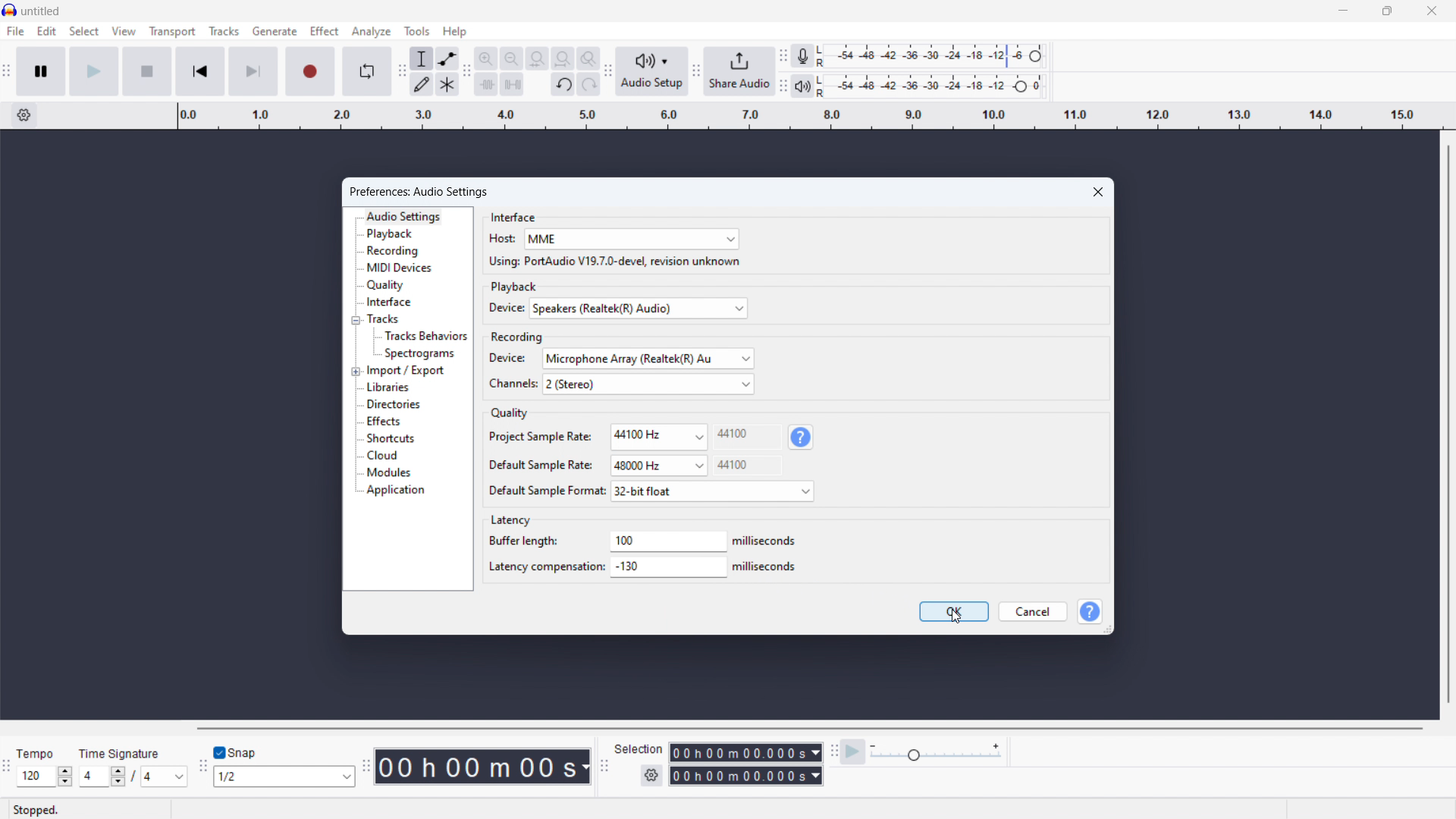 The height and width of the screenshot is (819, 1456). I want to click on device, so click(503, 309).